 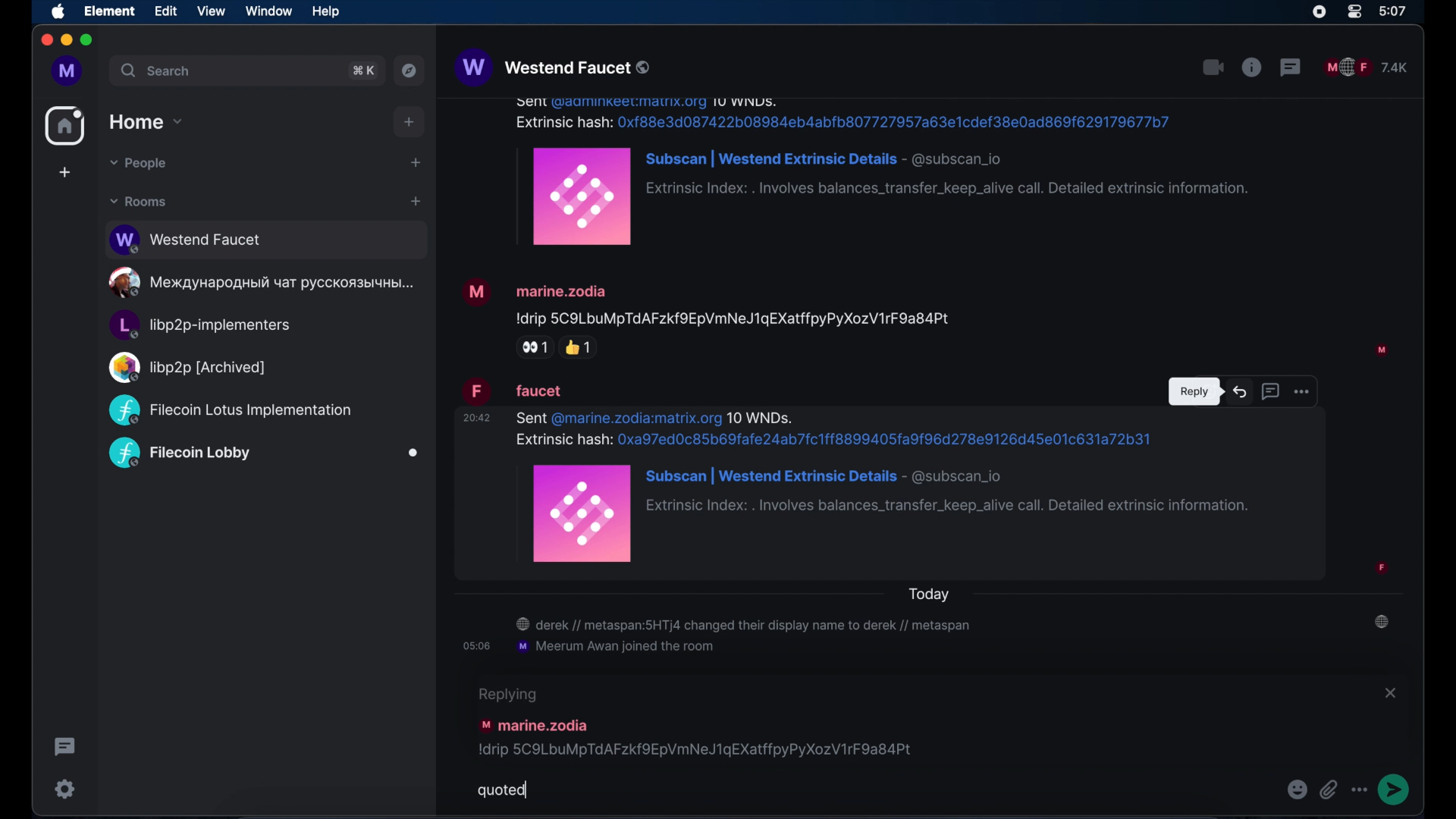 I want to click on public room properties, so click(x=1252, y=67).